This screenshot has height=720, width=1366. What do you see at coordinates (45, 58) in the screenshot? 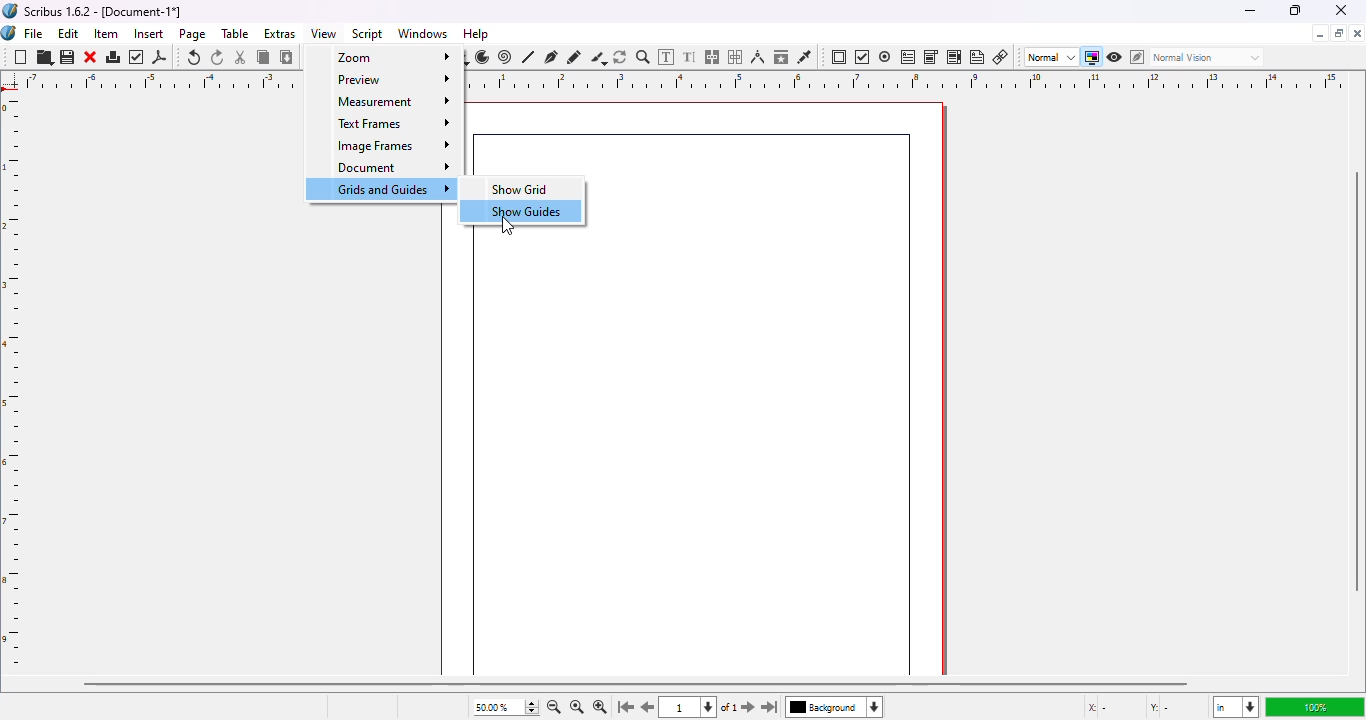
I see `open` at bounding box center [45, 58].